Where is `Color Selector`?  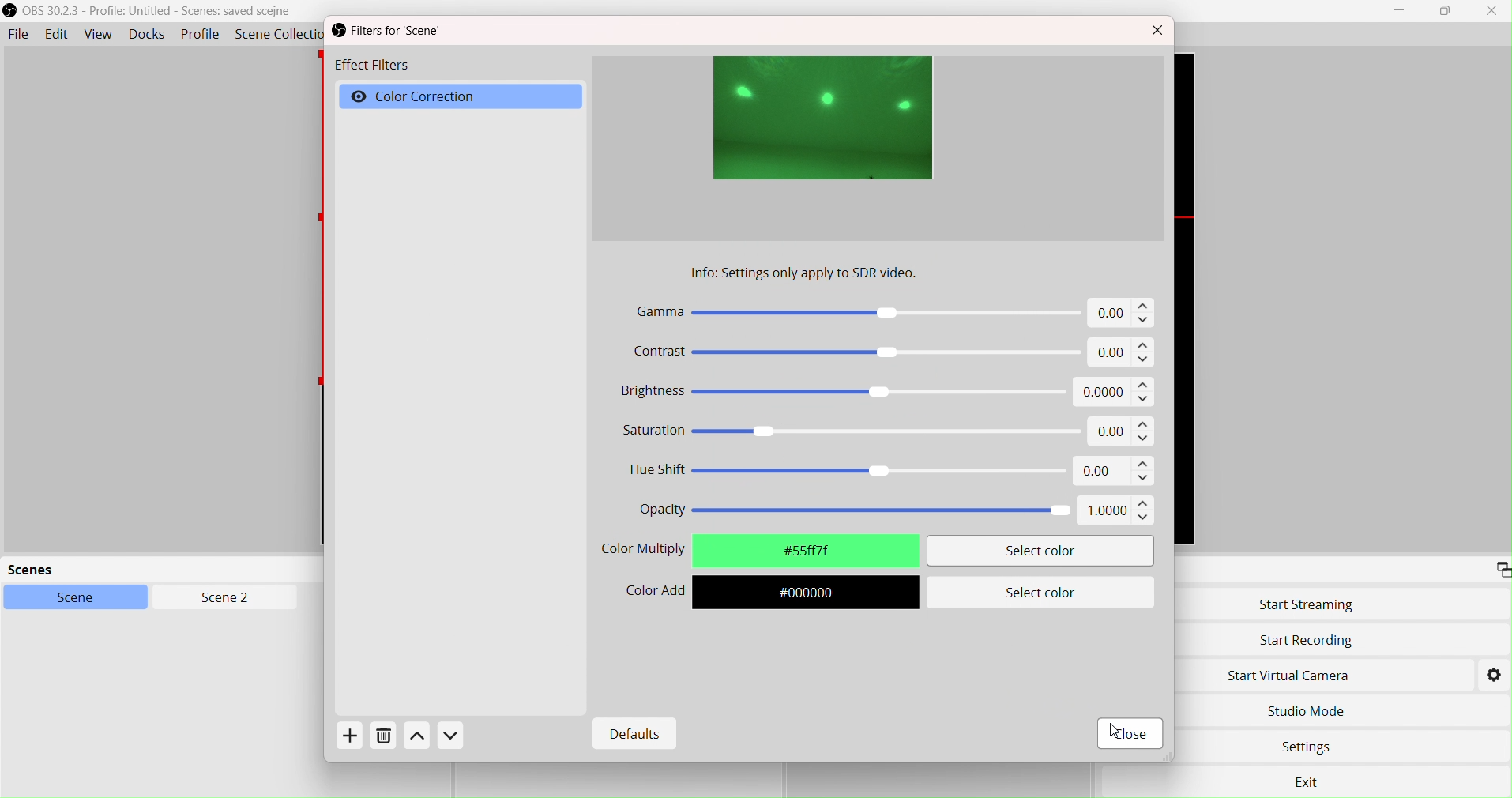
Color Selector is located at coordinates (645, 552).